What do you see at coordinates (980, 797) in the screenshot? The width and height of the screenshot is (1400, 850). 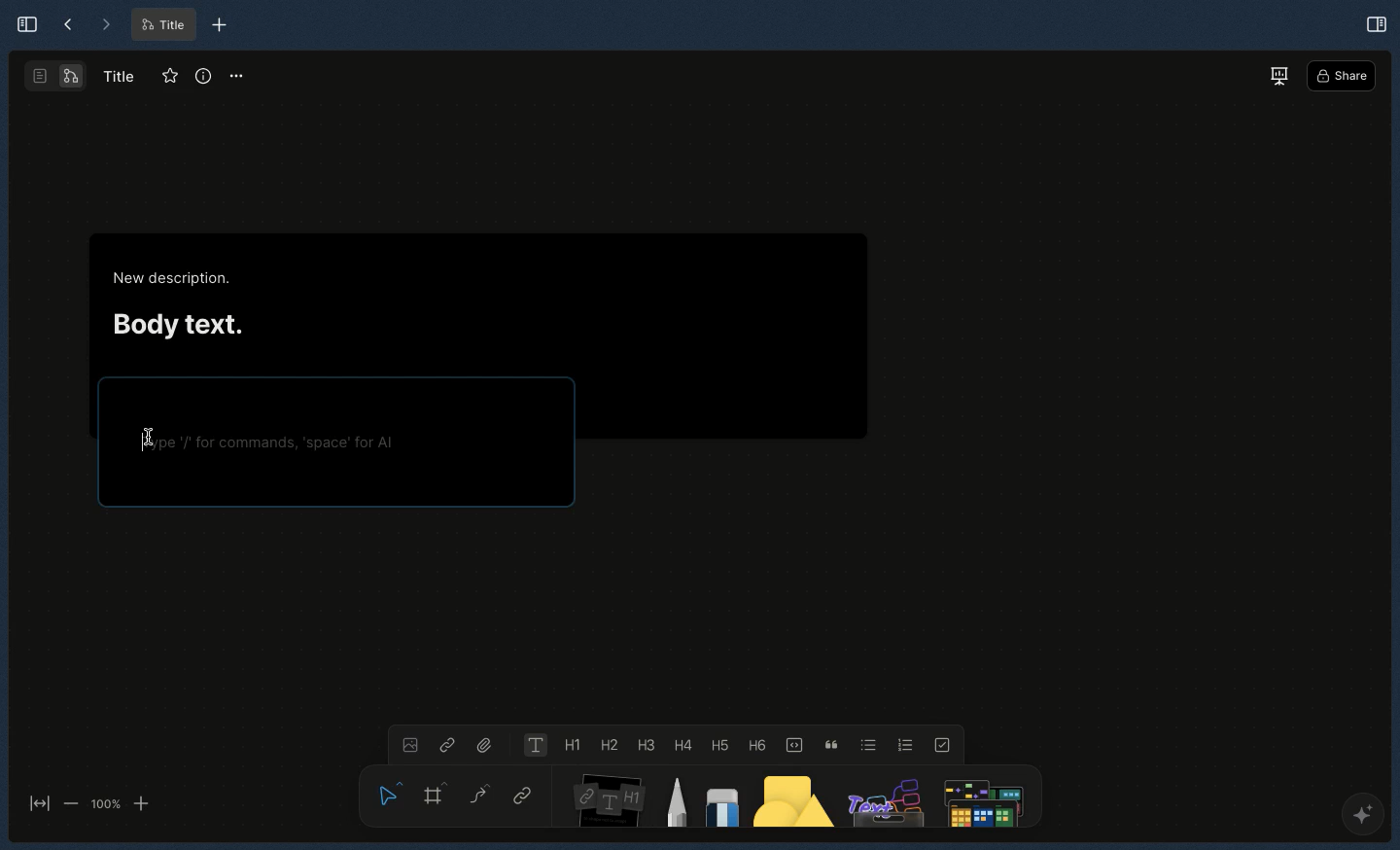 I see `Search file or anything` at bounding box center [980, 797].